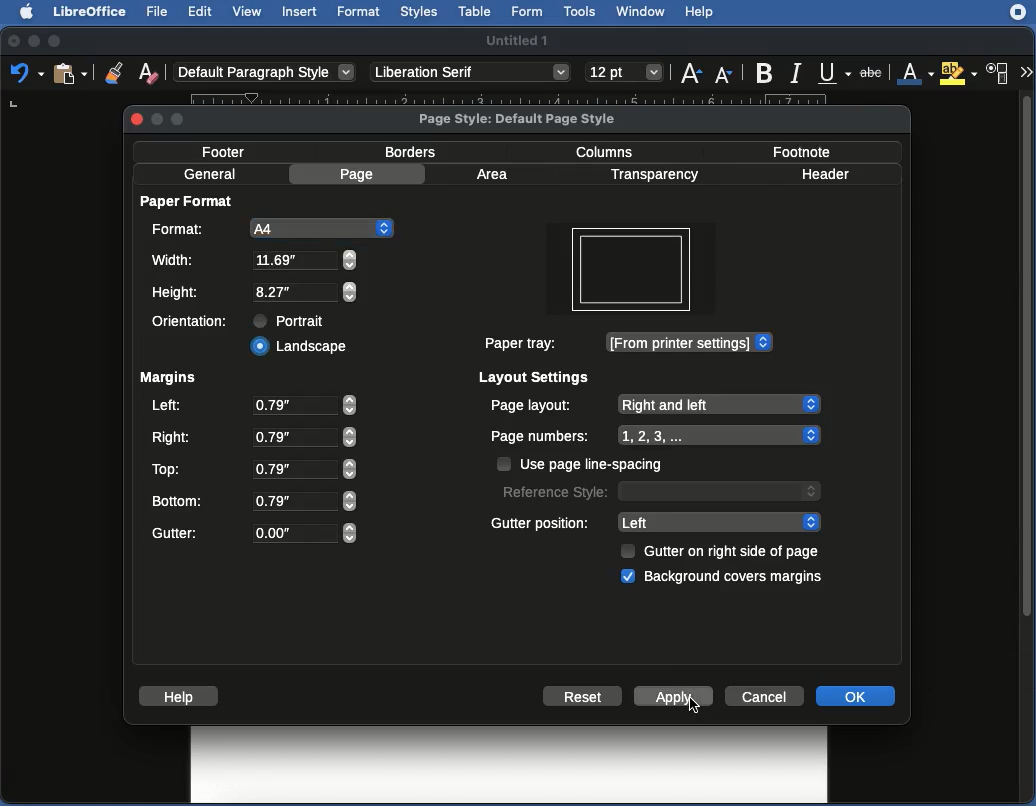 The width and height of the screenshot is (1036, 806). What do you see at coordinates (294, 321) in the screenshot?
I see `Portrait` at bounding box center [294, 321].